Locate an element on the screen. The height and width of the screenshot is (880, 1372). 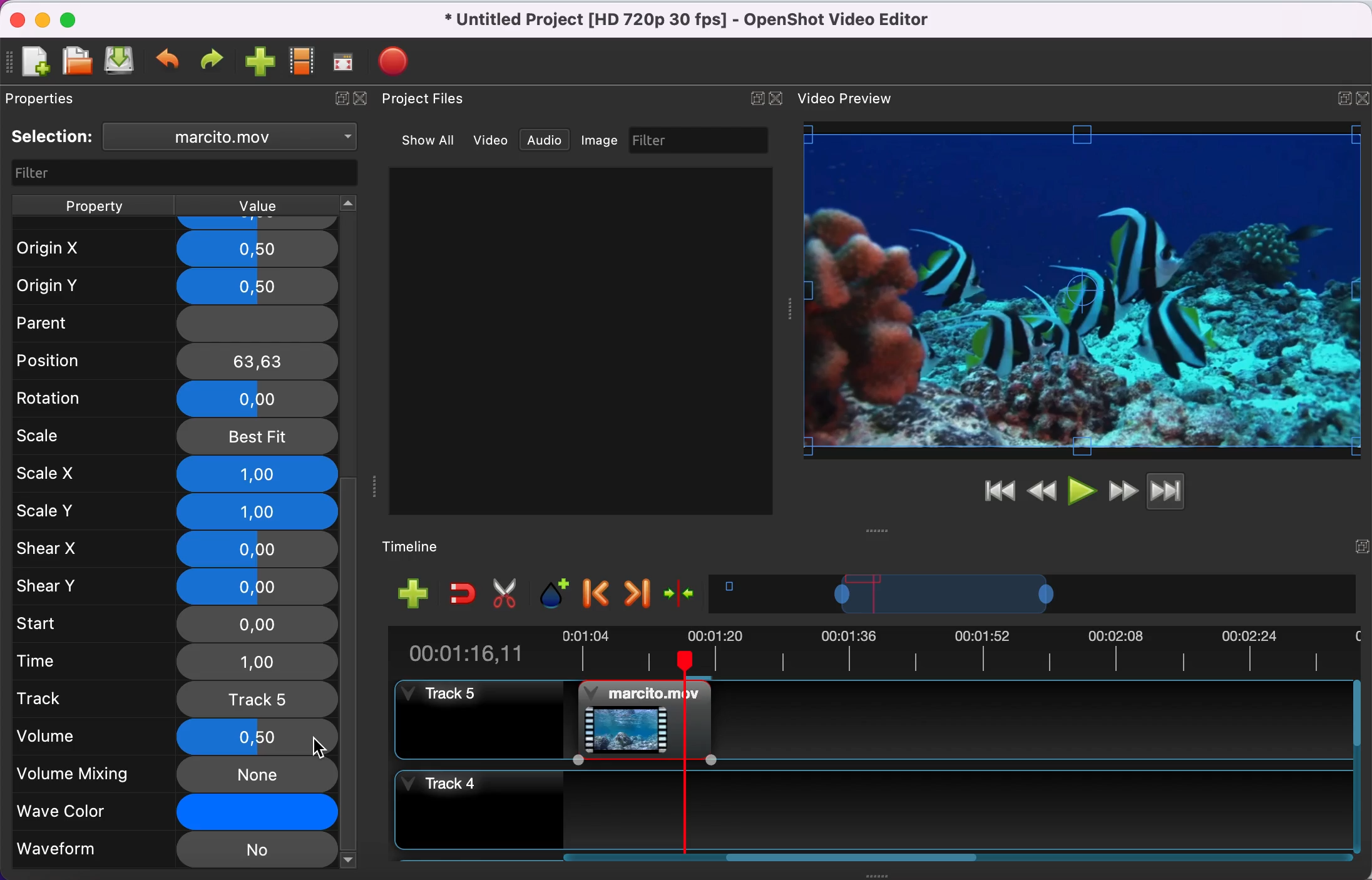
time duration is located at coordinates (871, 652).